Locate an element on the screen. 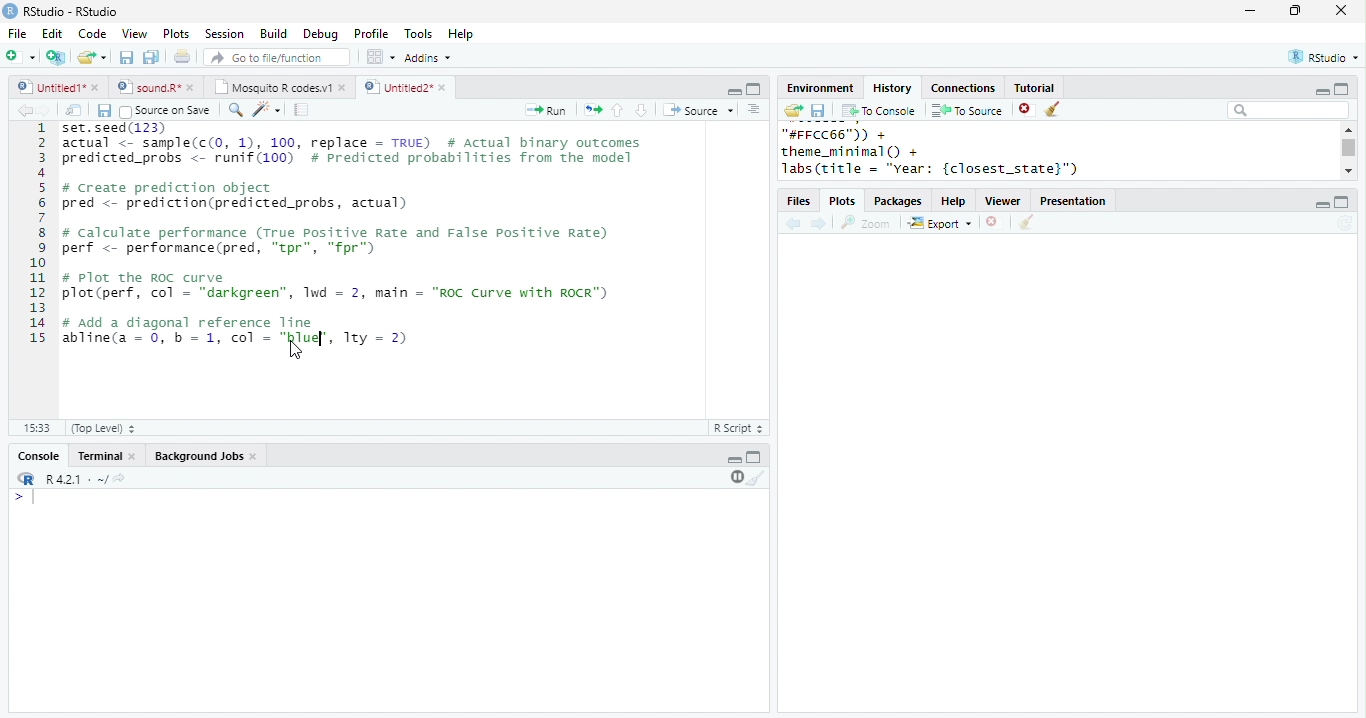  RStudio is located at coordinates (1326, 56).